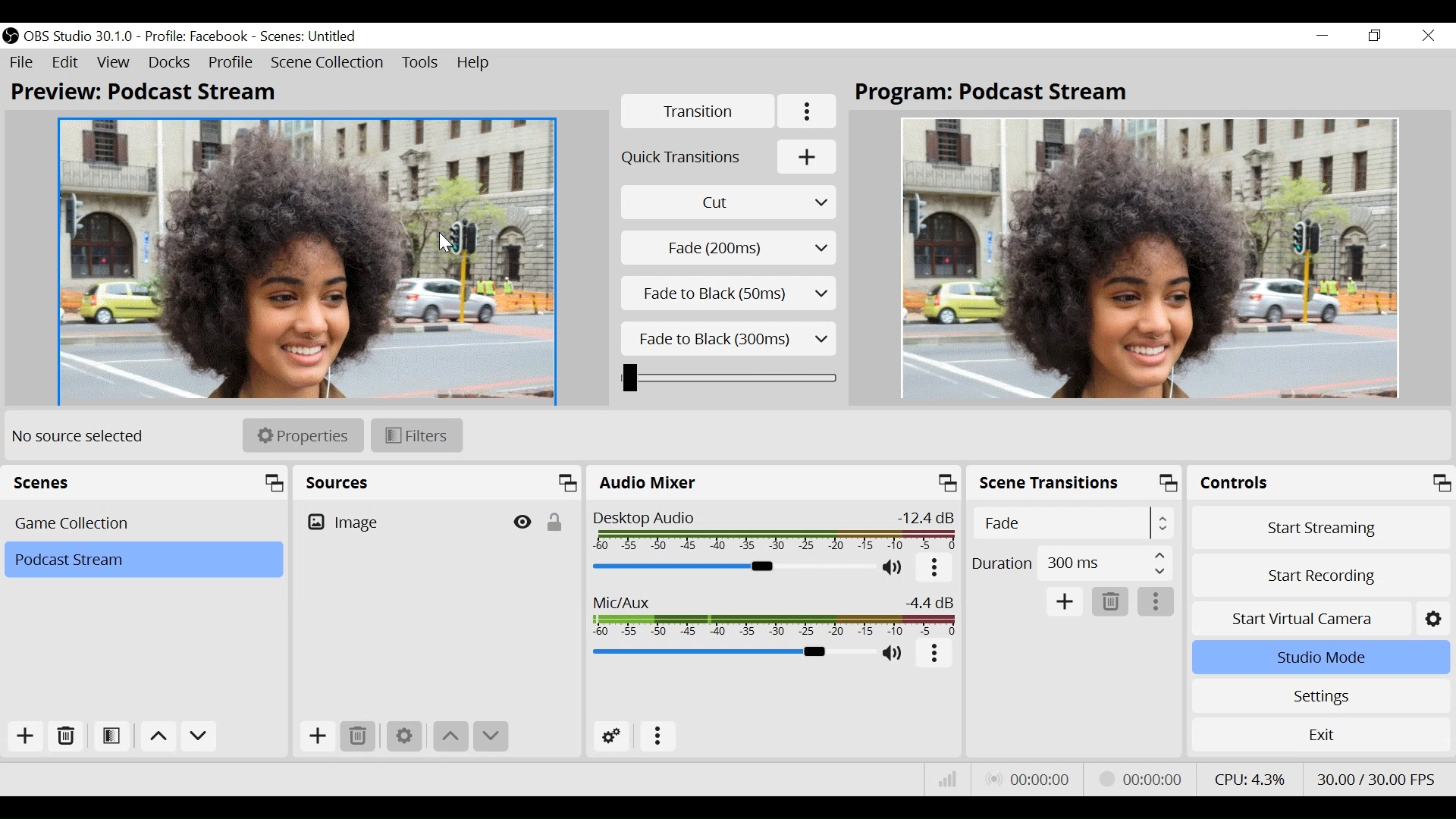  Describe the element at coordinates (774, 615) in the screenshot. I see `Mic/Aux` at that location.